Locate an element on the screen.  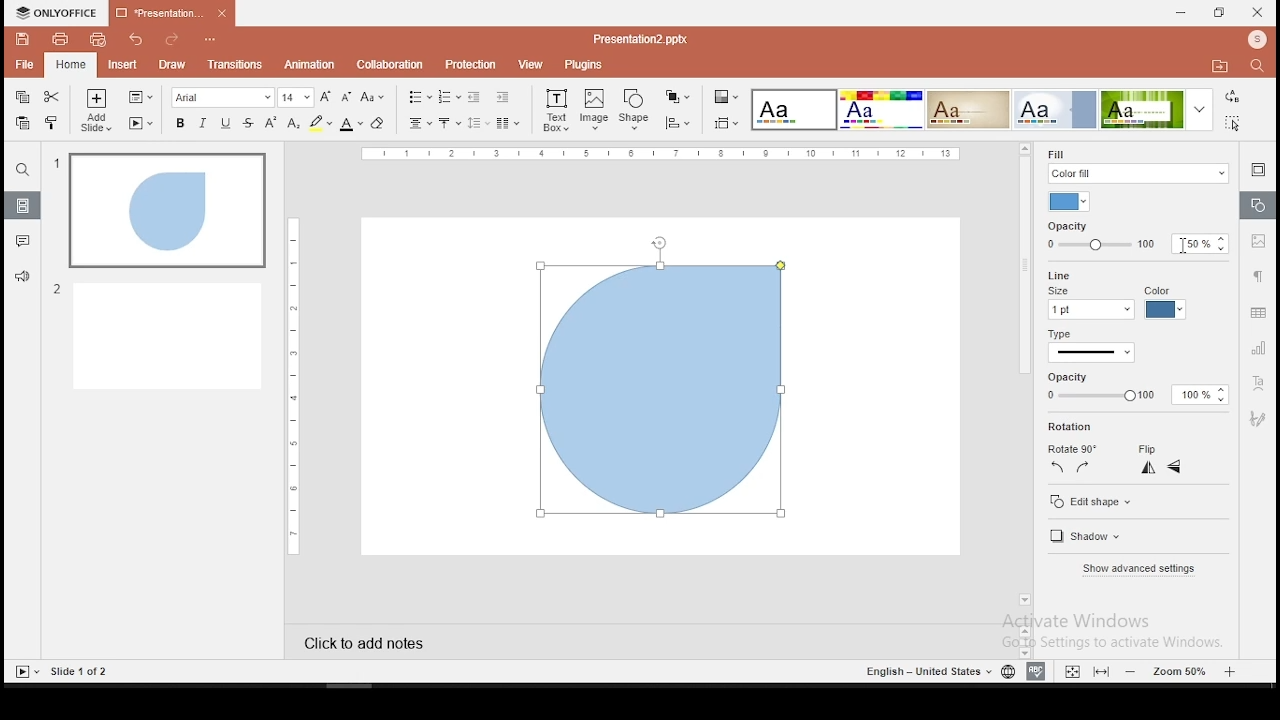
paste is located at coordinates (24, 122).